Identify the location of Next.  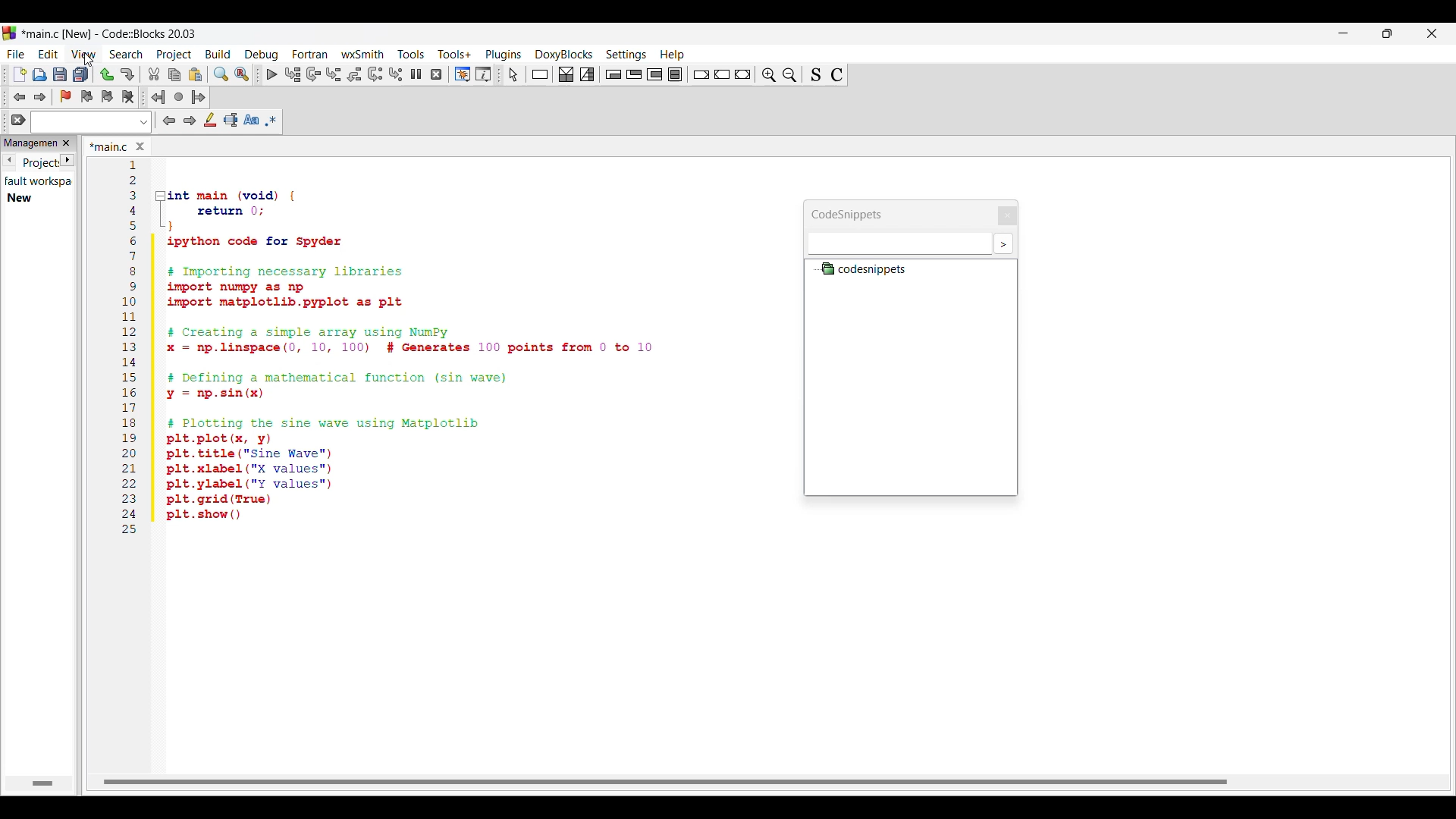
(190, 120).